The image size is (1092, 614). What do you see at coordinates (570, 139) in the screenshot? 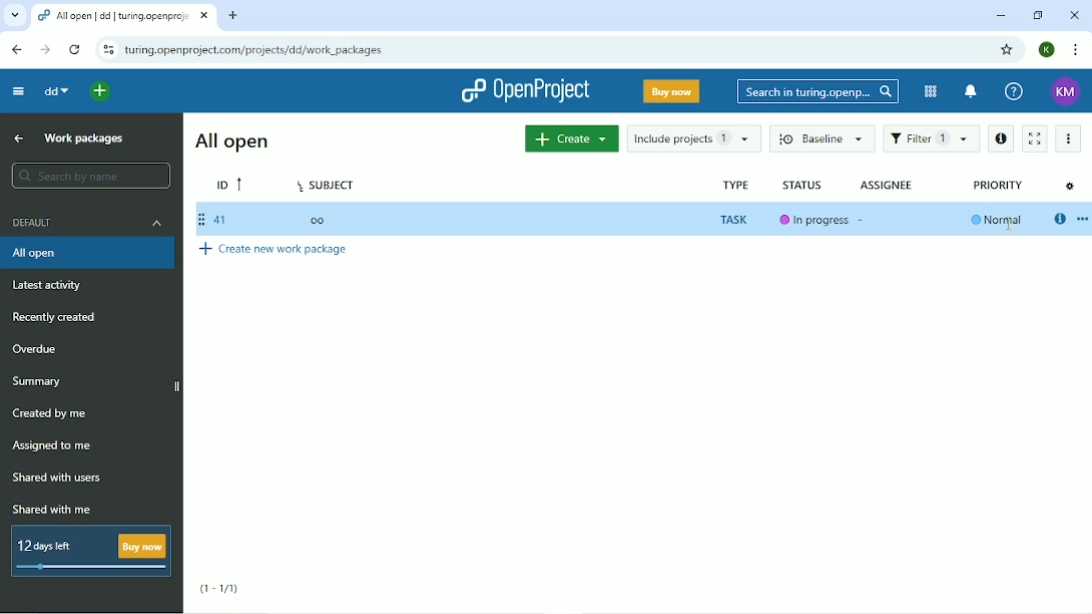
I see `Create` at bounding box center [570, 139].